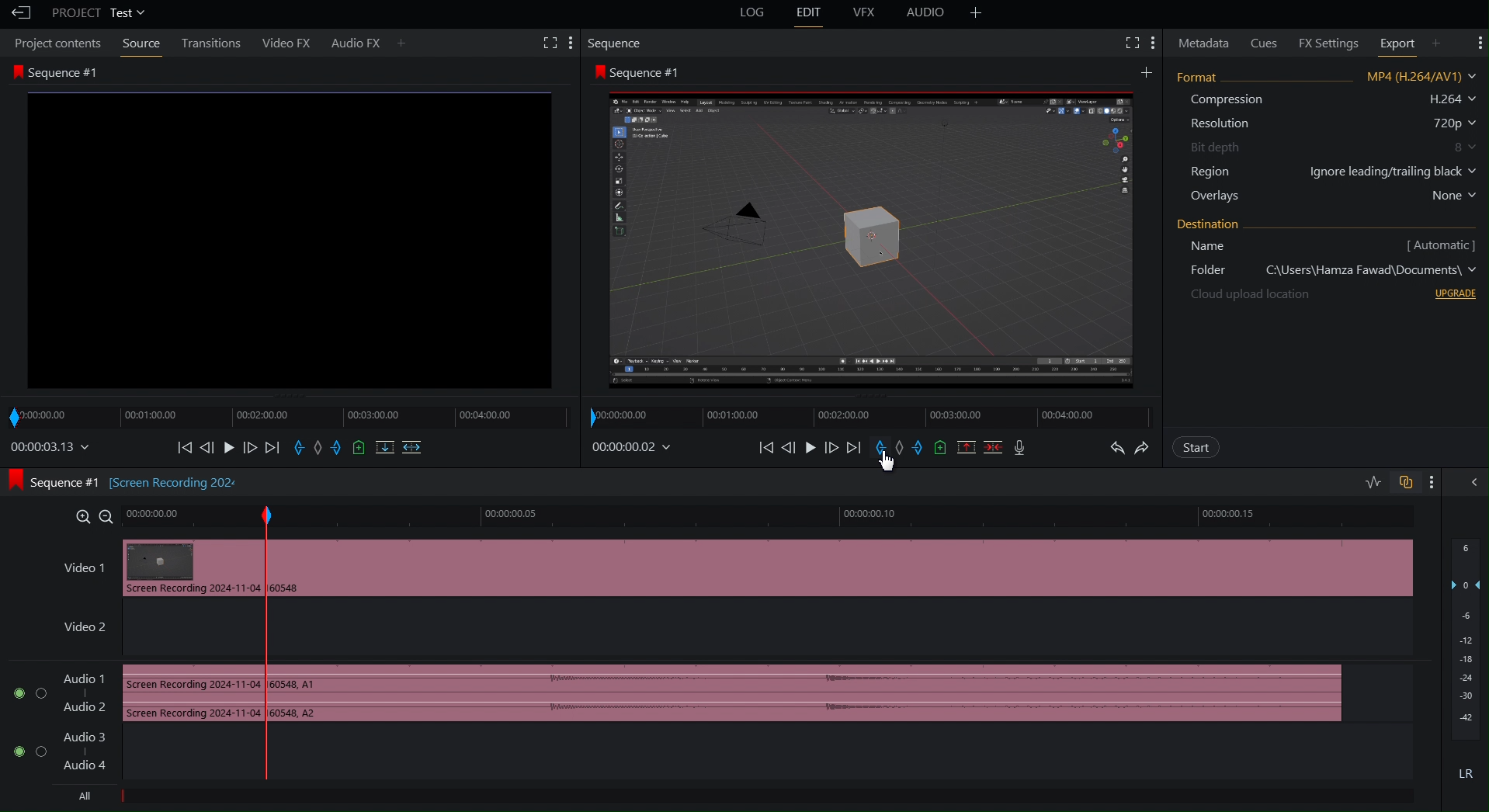 This screenshot has height=812, width=1489. What do you see at coordinates (1435, 483) in the screenshot?
I see `More` at bounding box center [1435, 483].